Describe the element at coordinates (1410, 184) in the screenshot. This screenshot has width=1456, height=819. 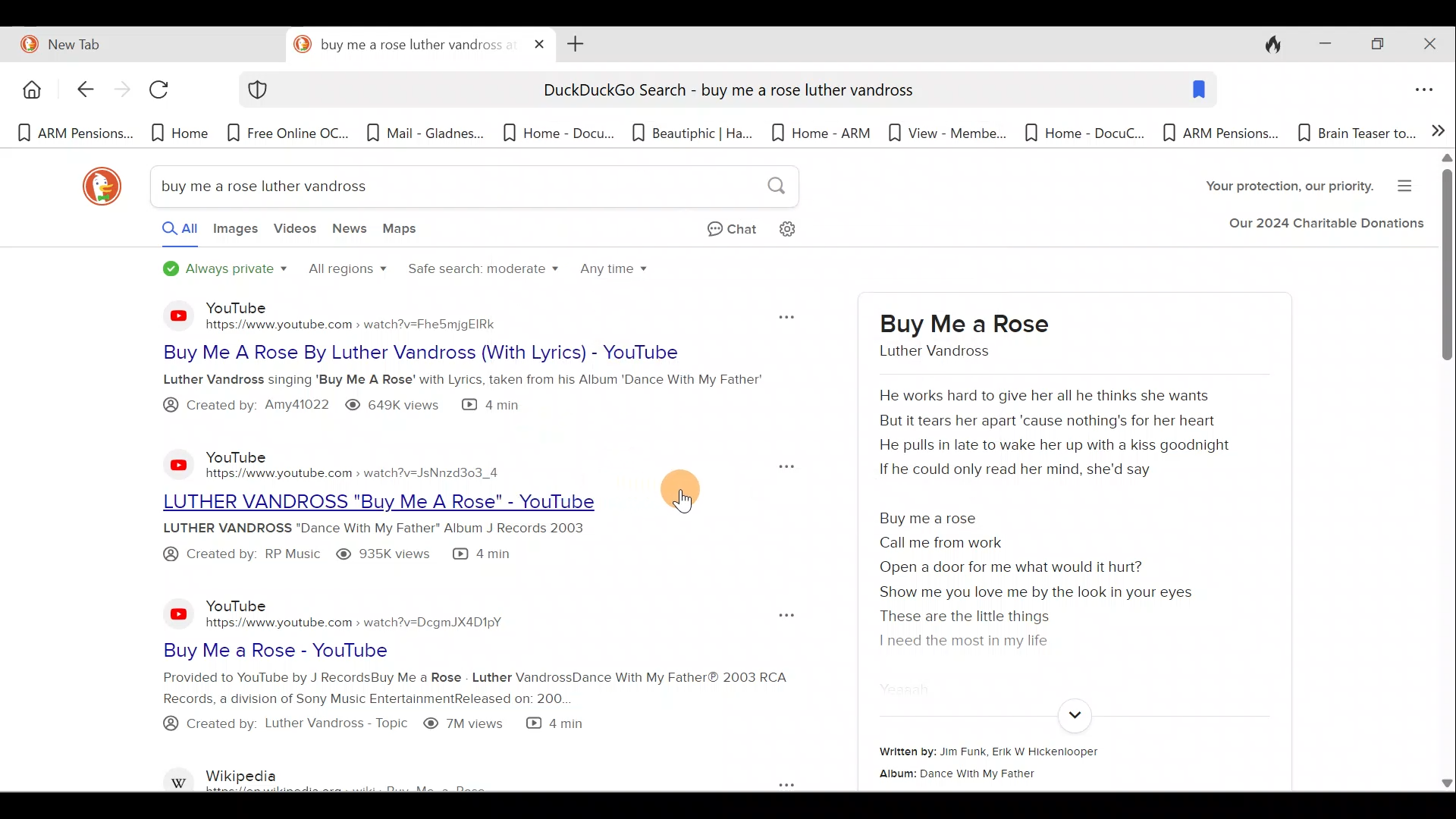
I see `Menu` at that location.